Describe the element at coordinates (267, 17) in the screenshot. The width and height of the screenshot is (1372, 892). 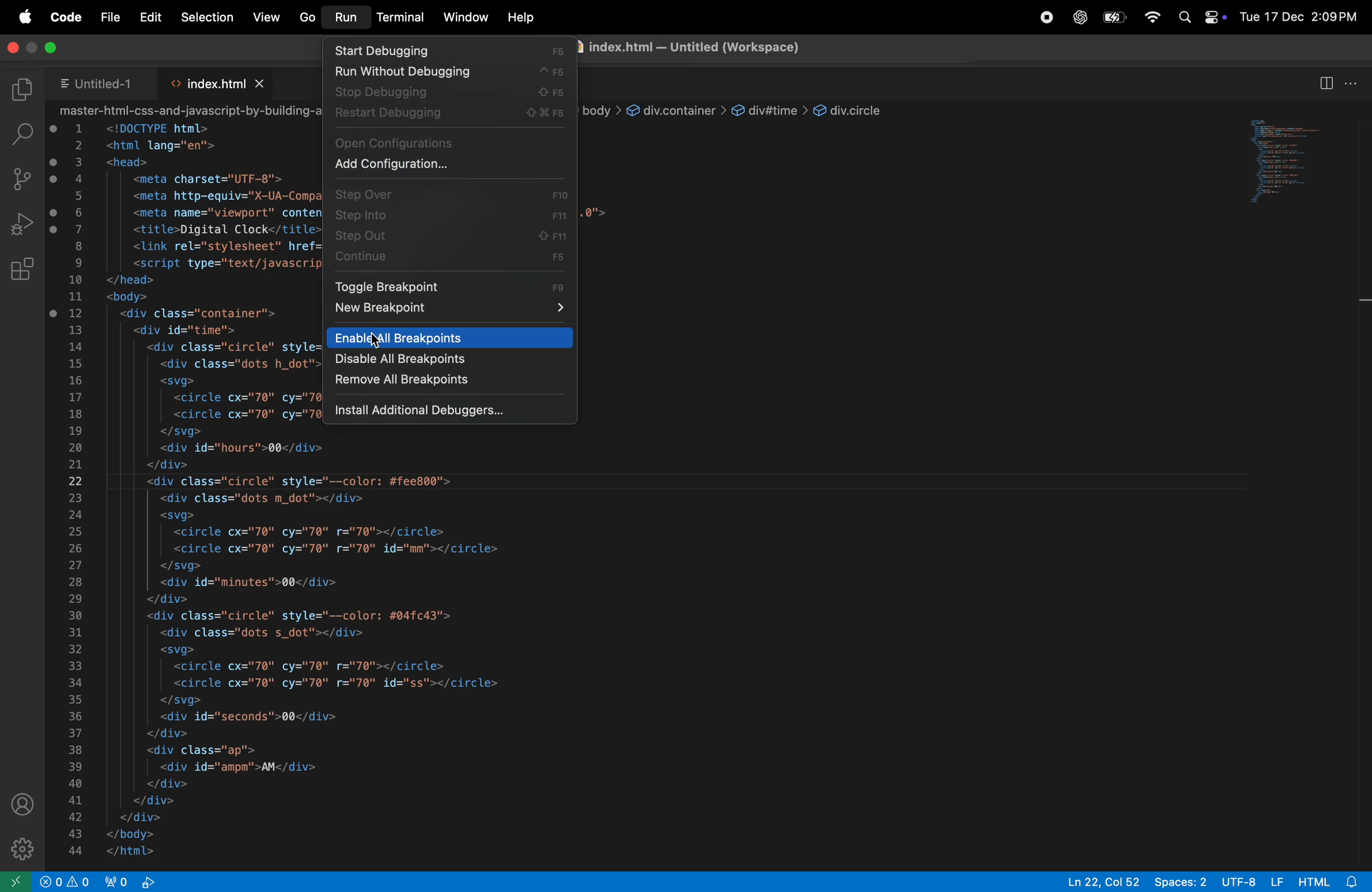
I see `view` at that location.